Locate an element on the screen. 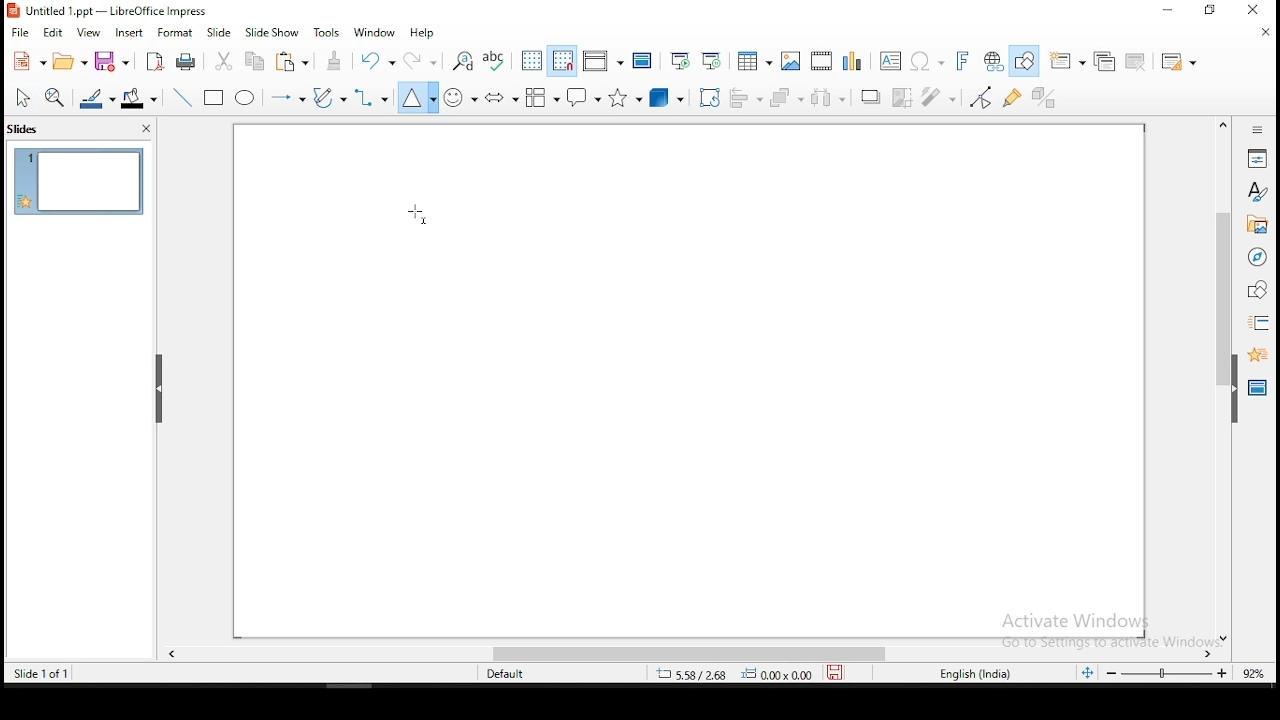 The image size is (1280, 720). fontwork text is located at coordinates (956, 61).